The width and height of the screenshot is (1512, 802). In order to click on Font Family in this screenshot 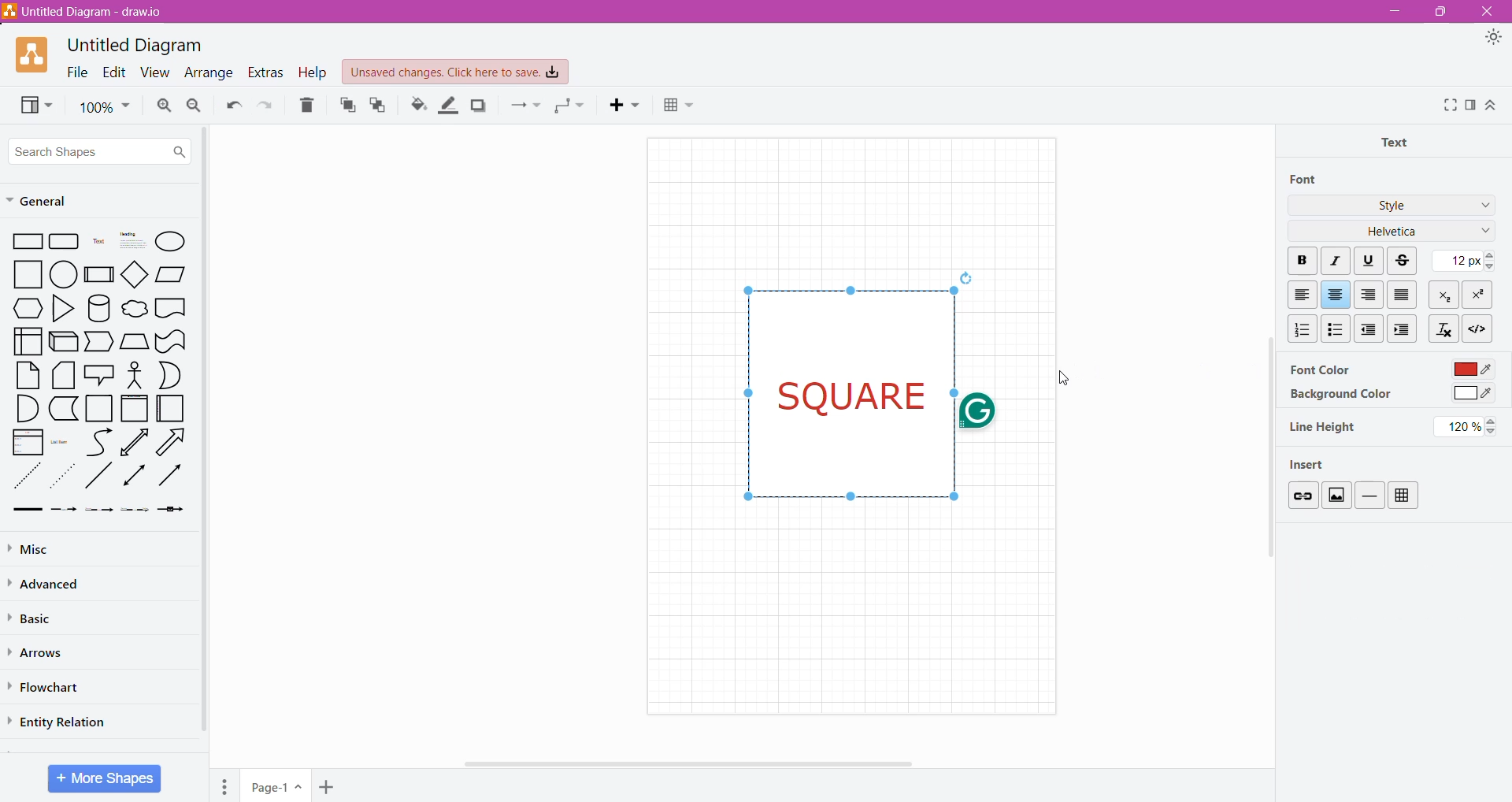, I will do `click(1482, 232)`.